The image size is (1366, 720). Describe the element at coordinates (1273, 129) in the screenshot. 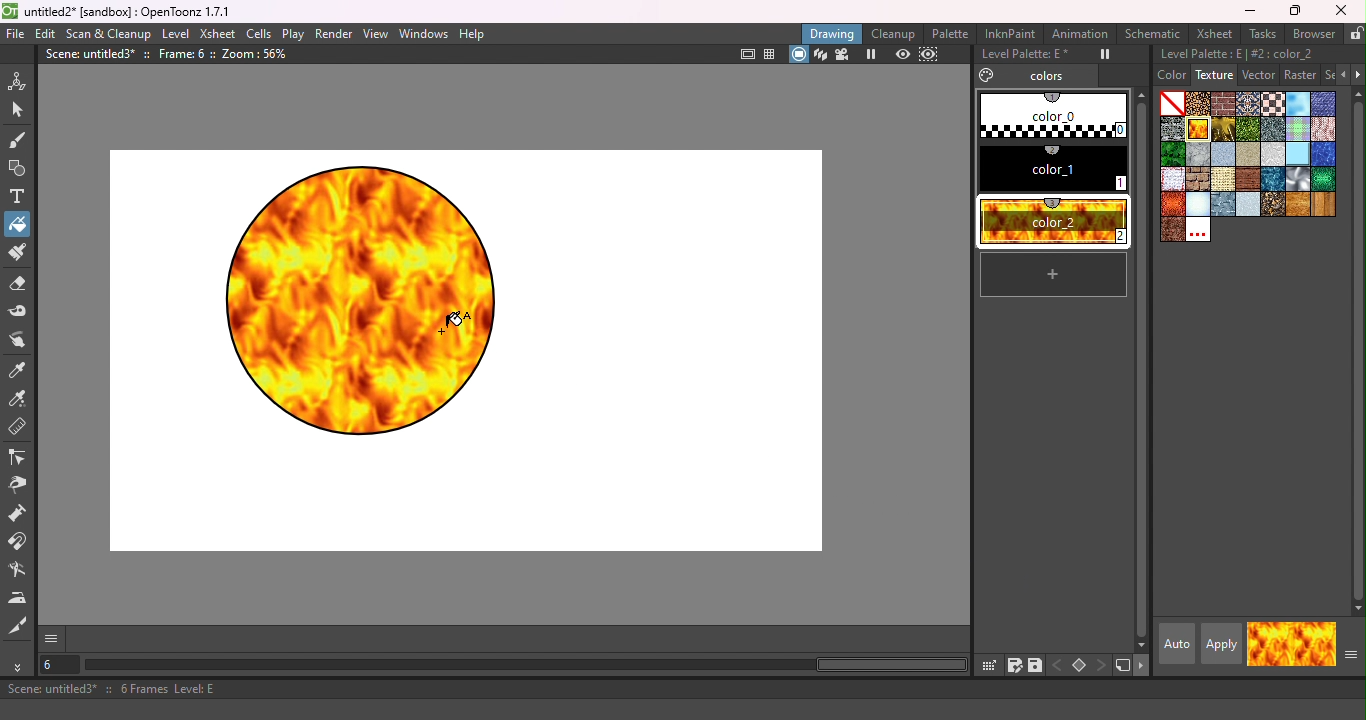

I see `Ironware.bmp` at that location.